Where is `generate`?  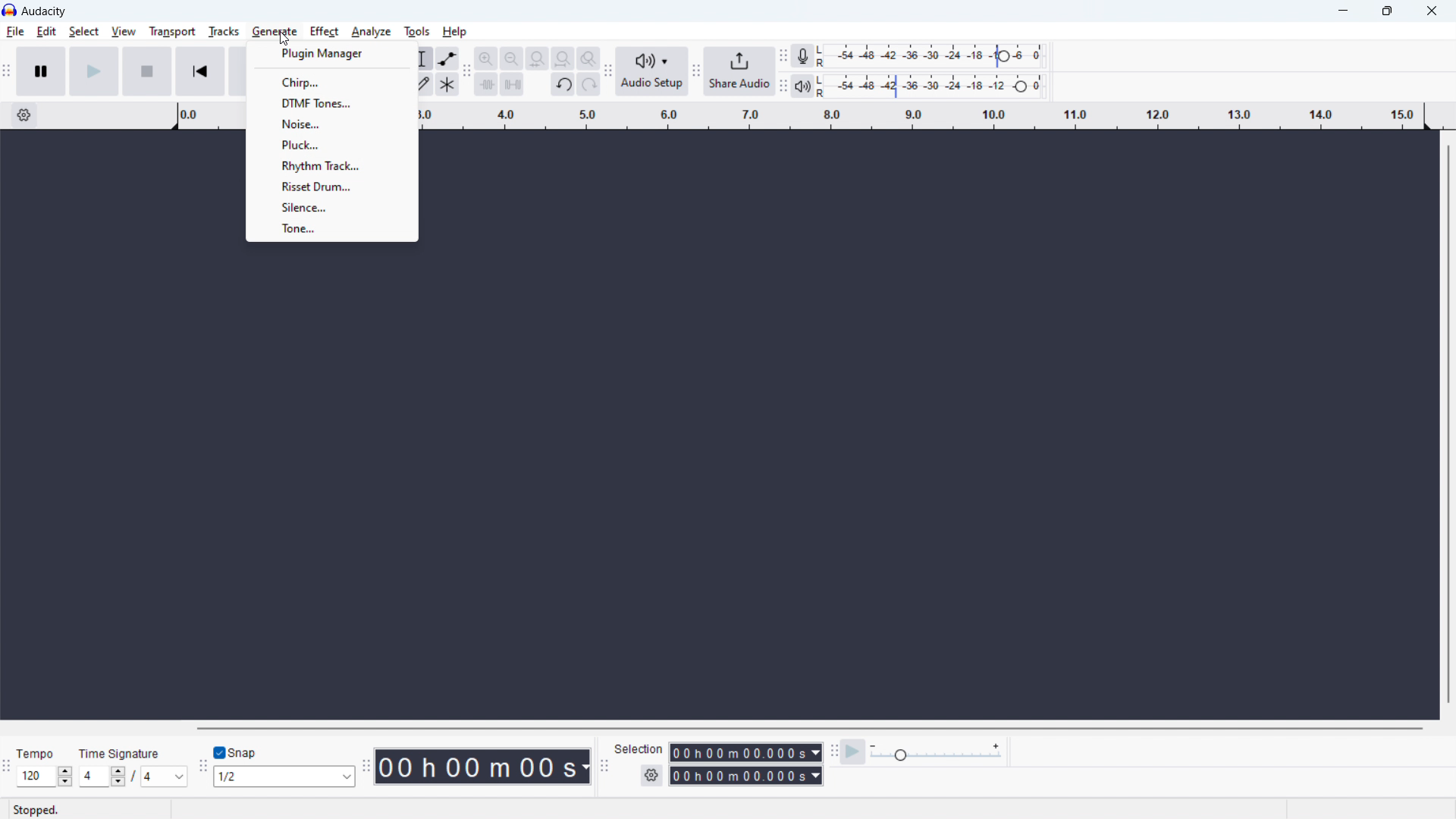
generate is located at coordinates (275, 31).